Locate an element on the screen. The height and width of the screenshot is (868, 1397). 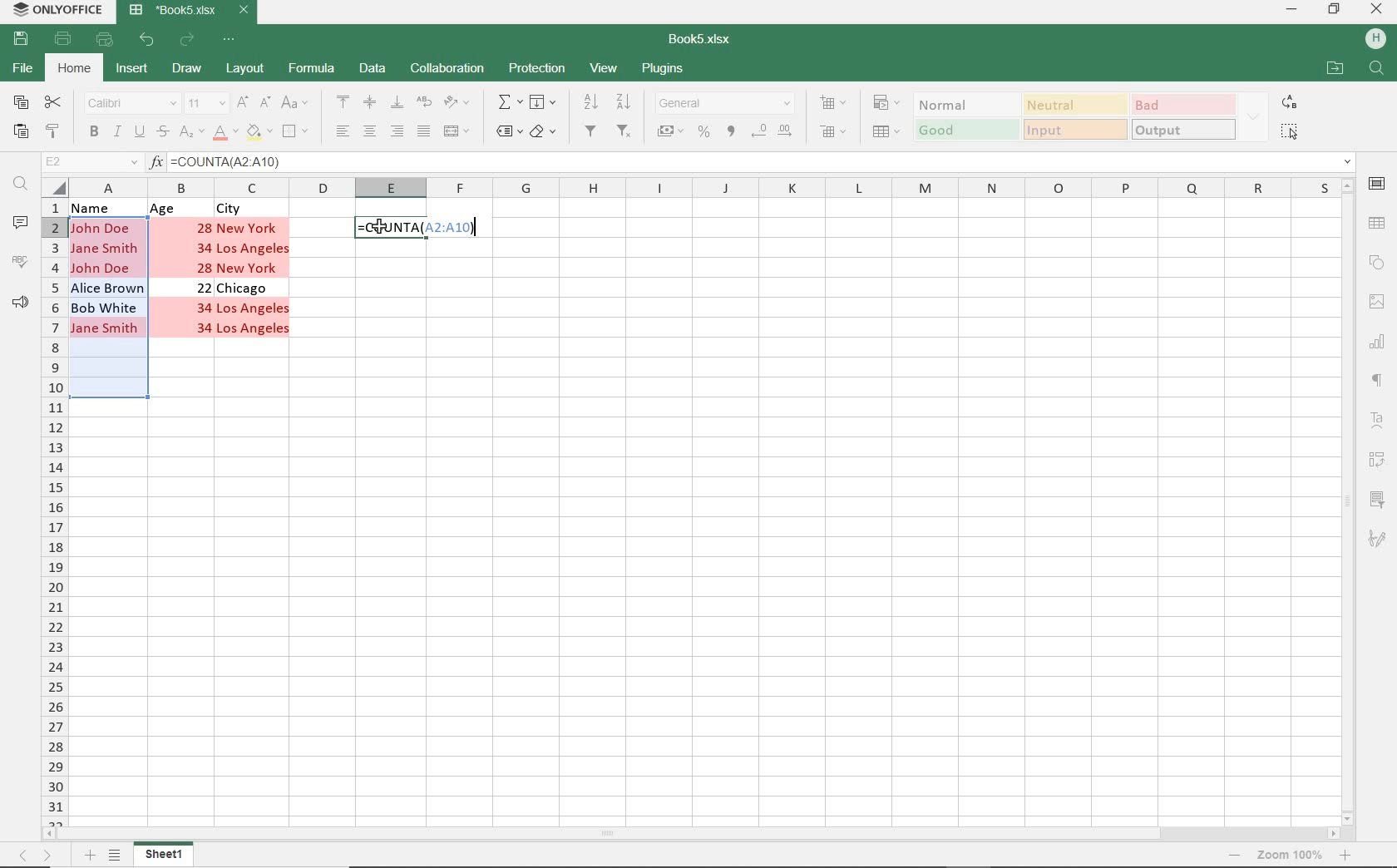
CHANGE DECIMALS is located at coordinates (773, 131).